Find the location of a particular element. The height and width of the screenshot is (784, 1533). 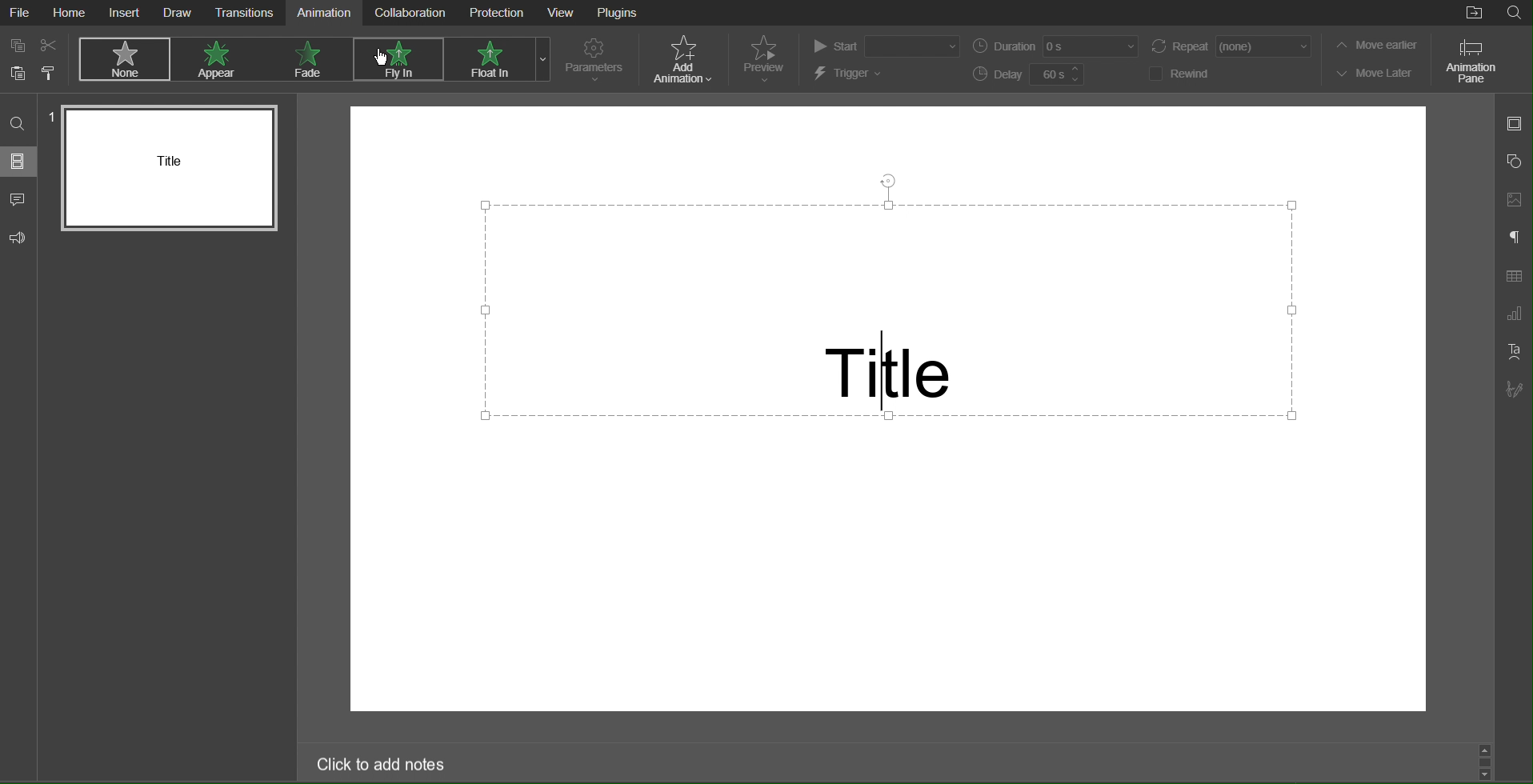

Click to add notes is located at coordinates (384, 765).